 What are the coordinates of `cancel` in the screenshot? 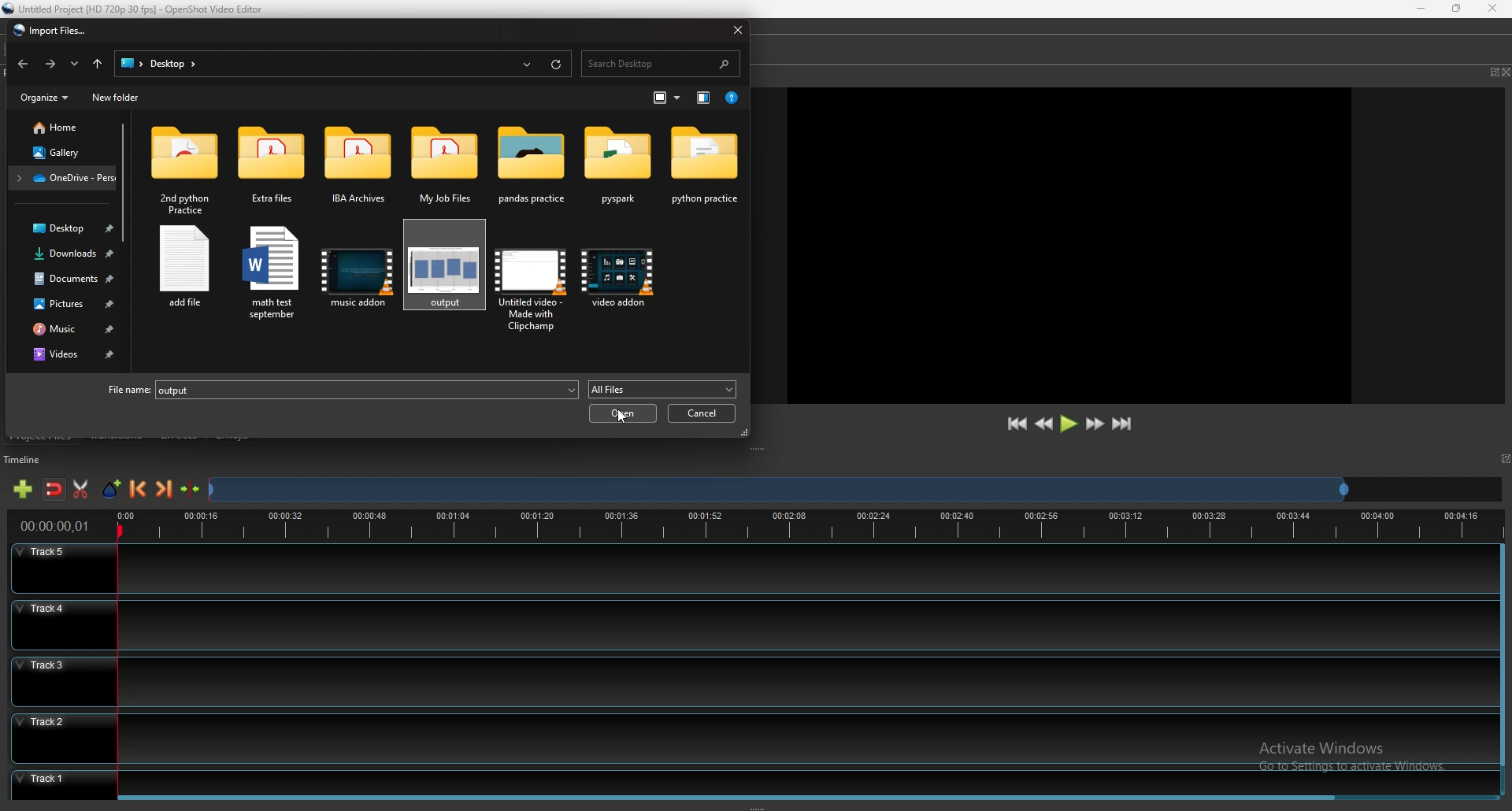 It's located at (702, 413).